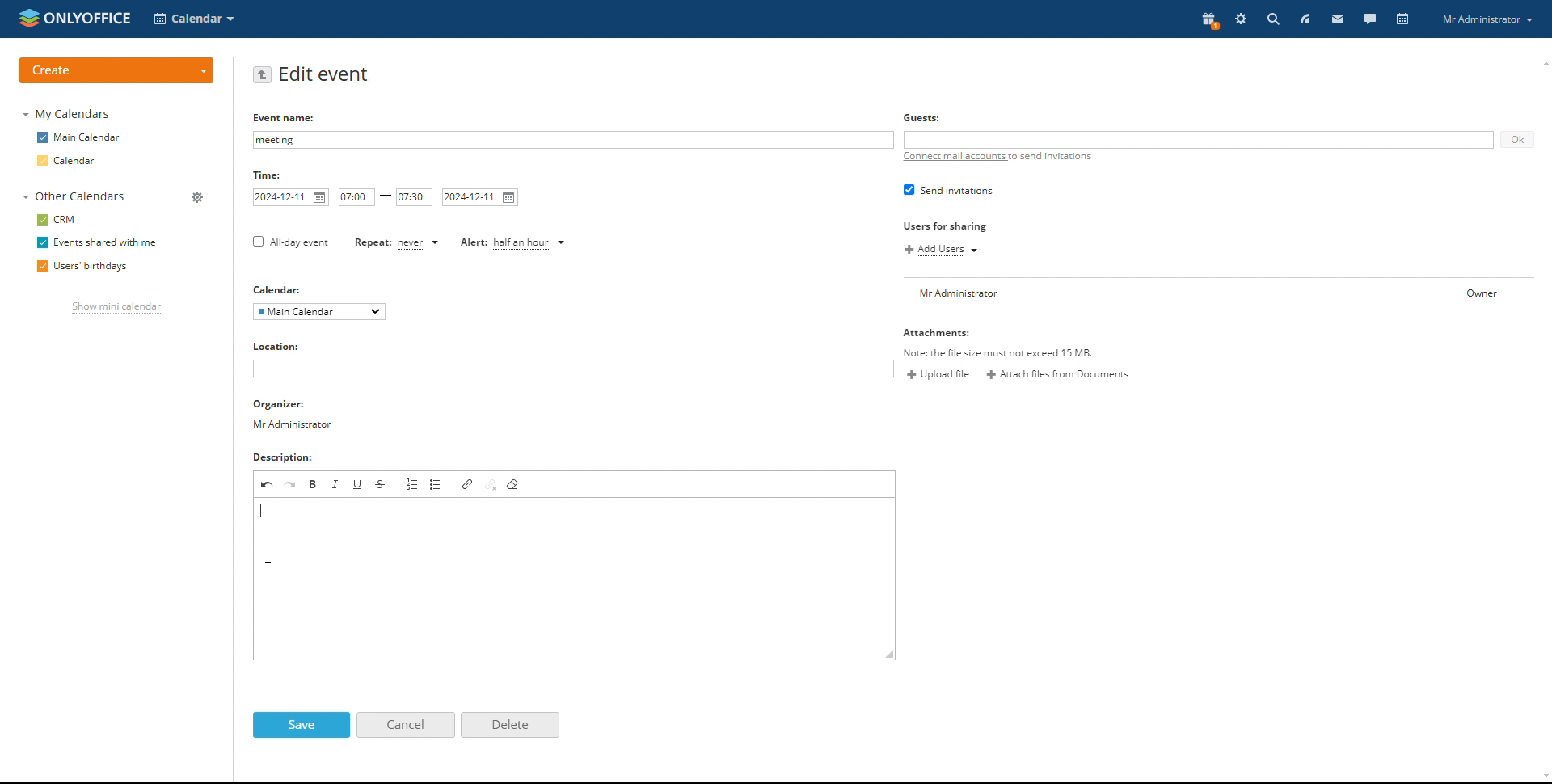 The height and width of the screenshot is (784, 1552). What do you see at coordinates (943, 227) in the screenshot?
I see `Users for sharing` at bounding box center [943, 227].